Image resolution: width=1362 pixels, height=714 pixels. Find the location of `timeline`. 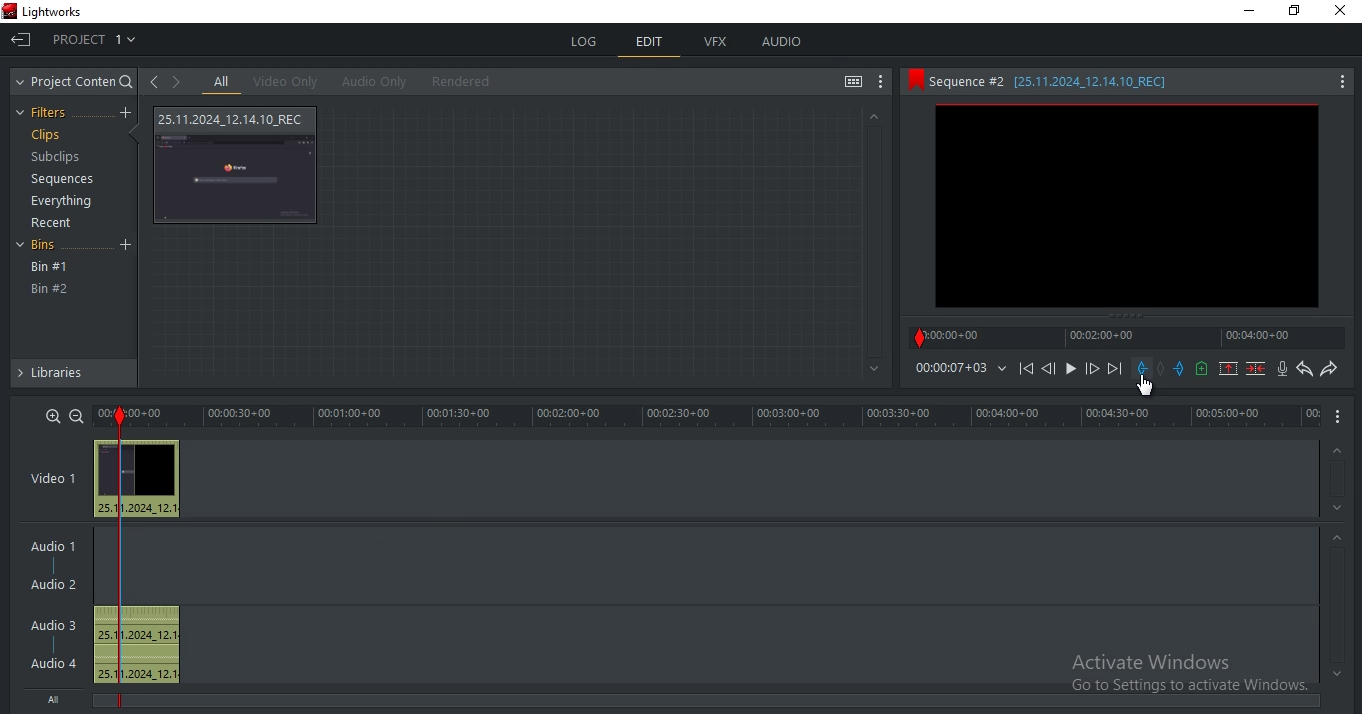

timeline is located at coordinates (1130, 337).